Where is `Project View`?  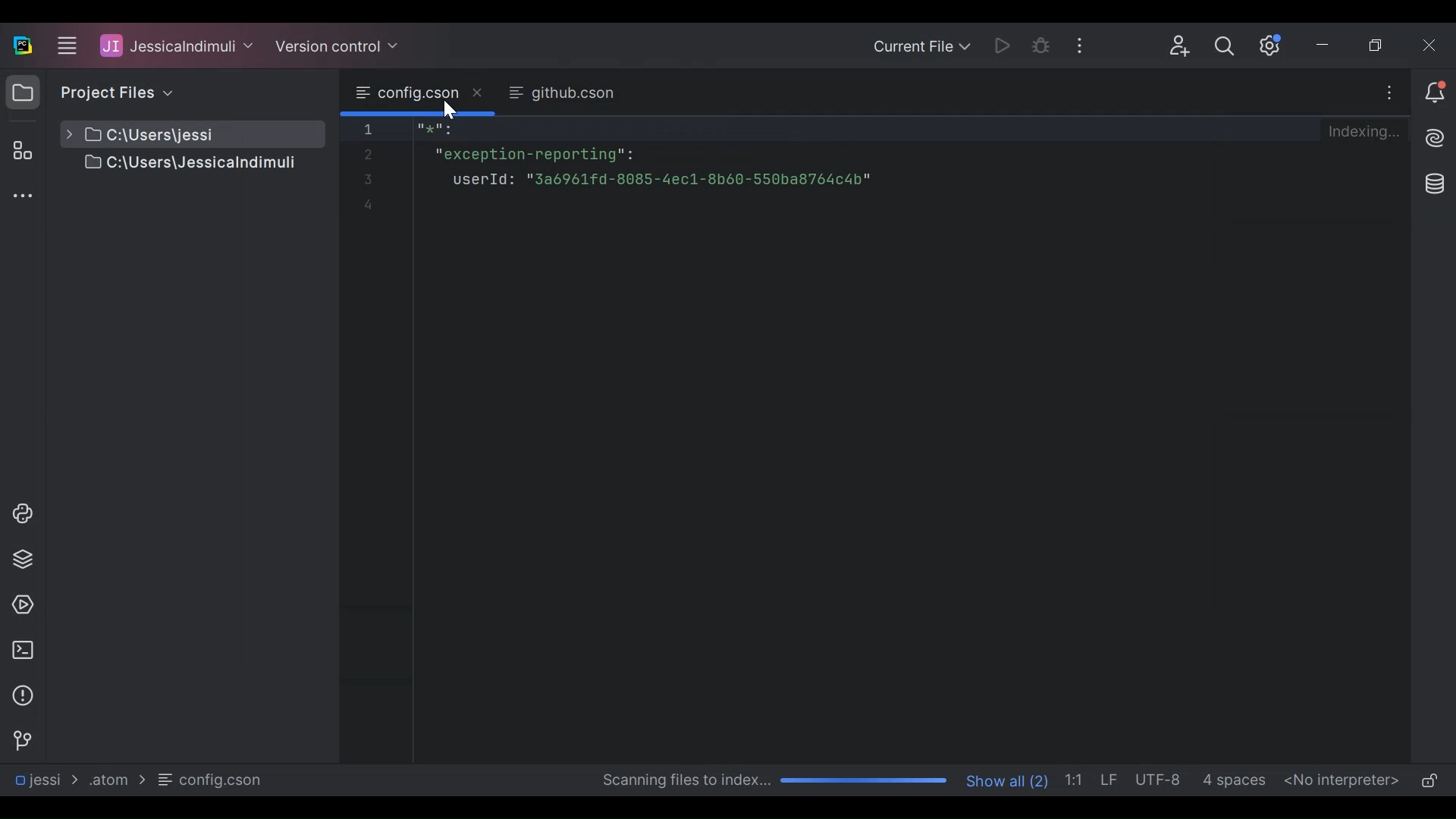 Project View is located at coordinates (23, 92).